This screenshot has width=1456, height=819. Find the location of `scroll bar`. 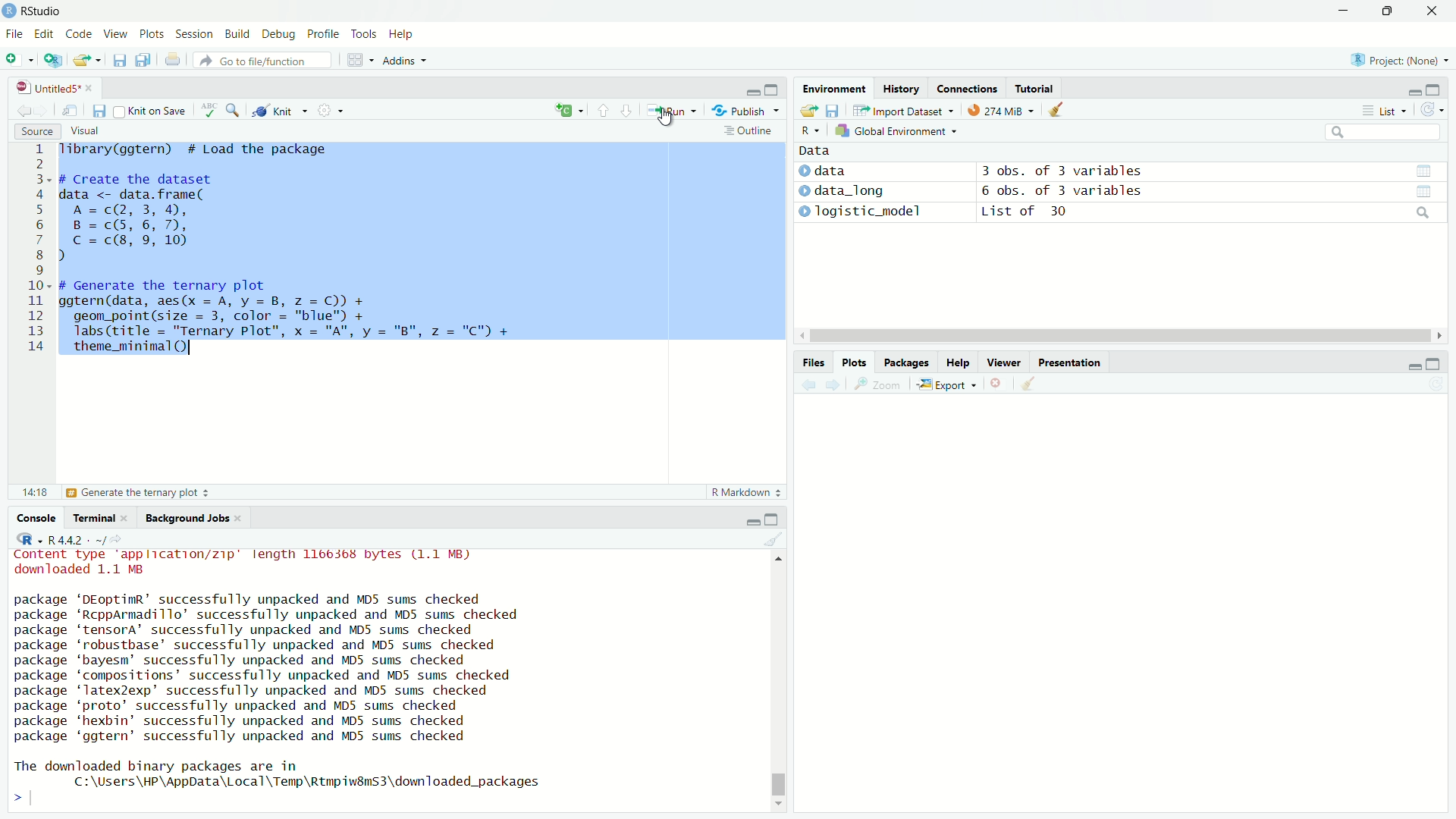

scroll bar is located at coordinates (783, 679).